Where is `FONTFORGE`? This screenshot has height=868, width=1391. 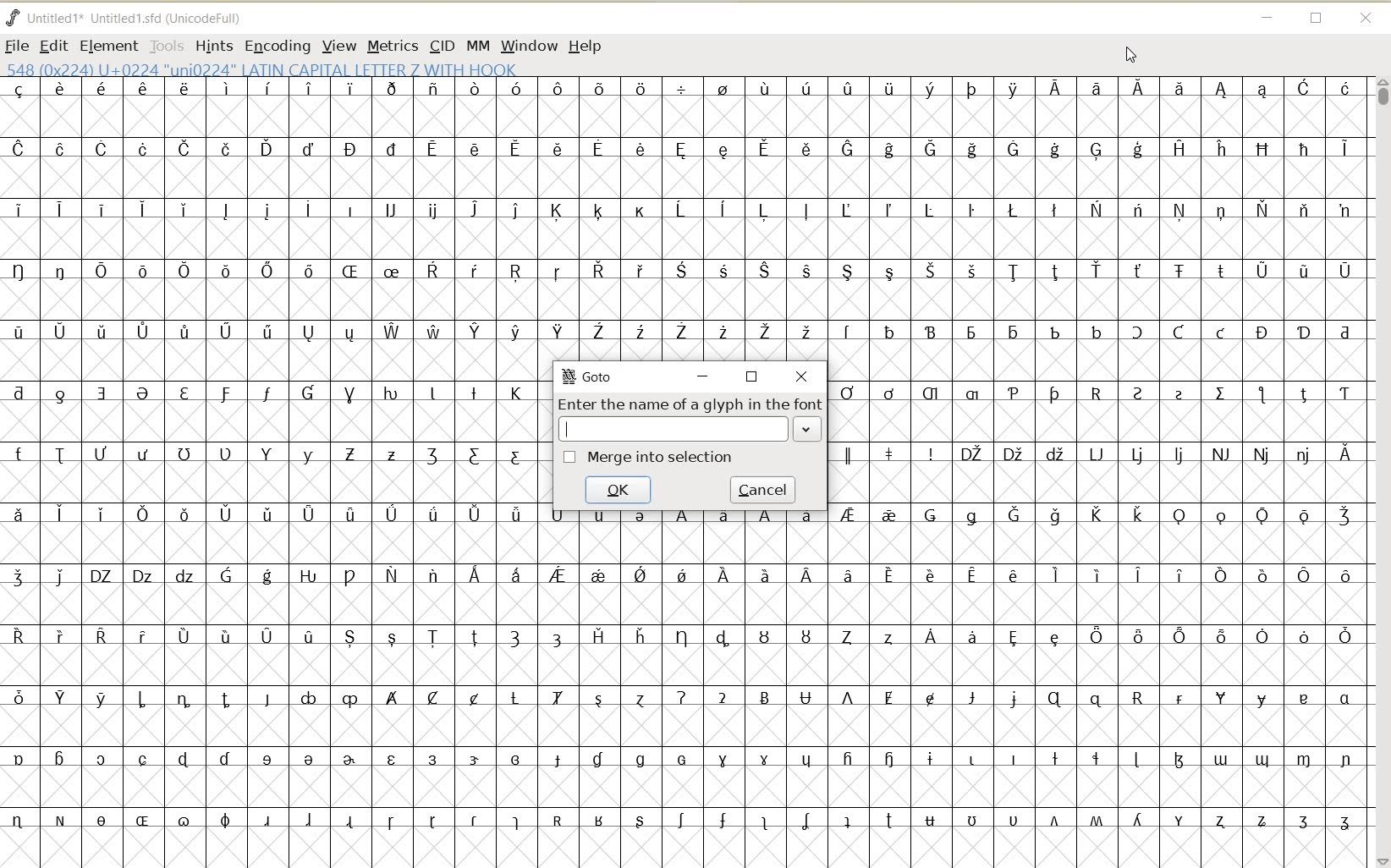
FONTFORGE is located at coordinates (13, 17).